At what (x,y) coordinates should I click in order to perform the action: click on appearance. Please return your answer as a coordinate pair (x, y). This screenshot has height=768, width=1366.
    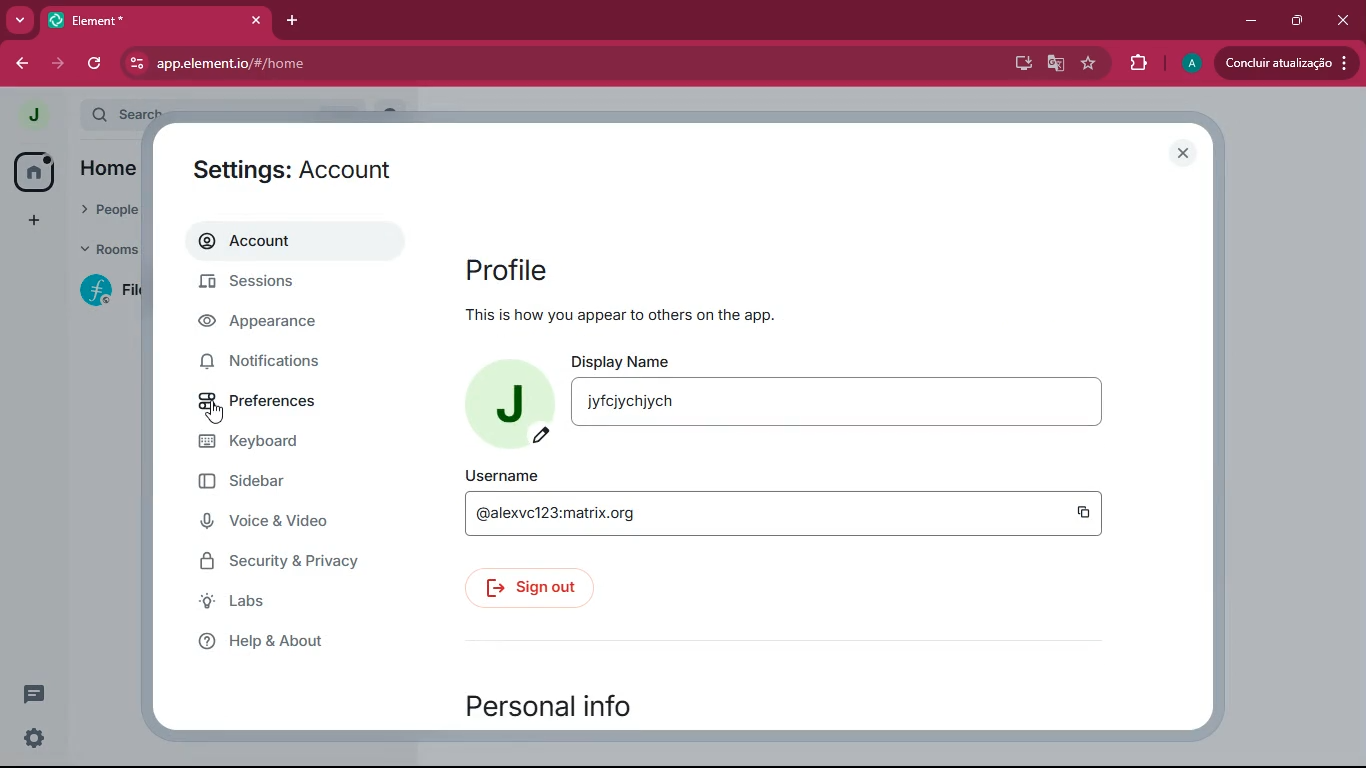
    Looking at the image, I should click on (271, 321).